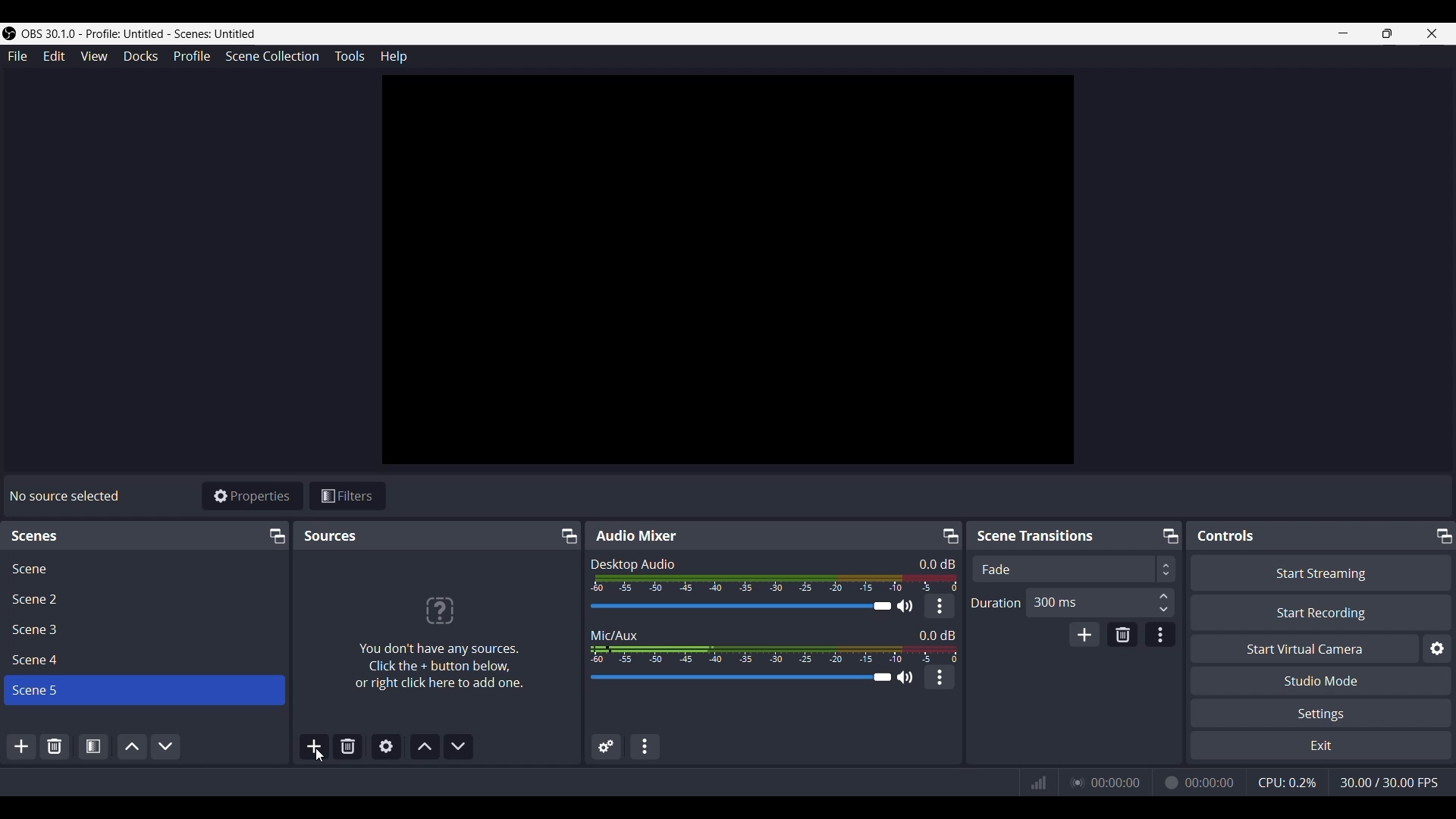 The width and height of the screenshot is (1456, 819). Describe the element at coordinates (632, 563) in the screenshot. I see `Text` at that location.